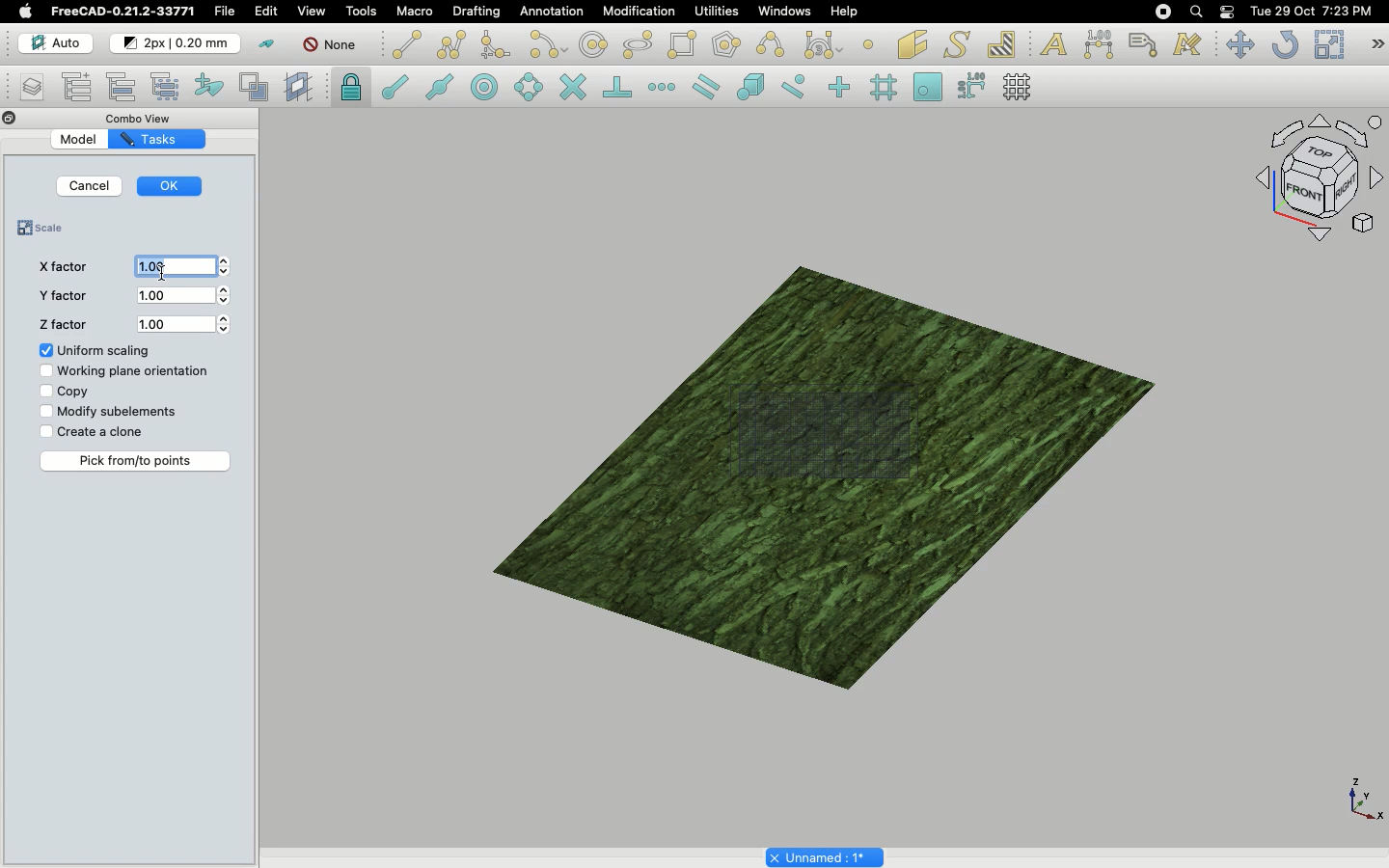 The image size is (1389, 868). Describe the element at coordinates (49, 42) in the screenshot. I see `Auto` at that location.